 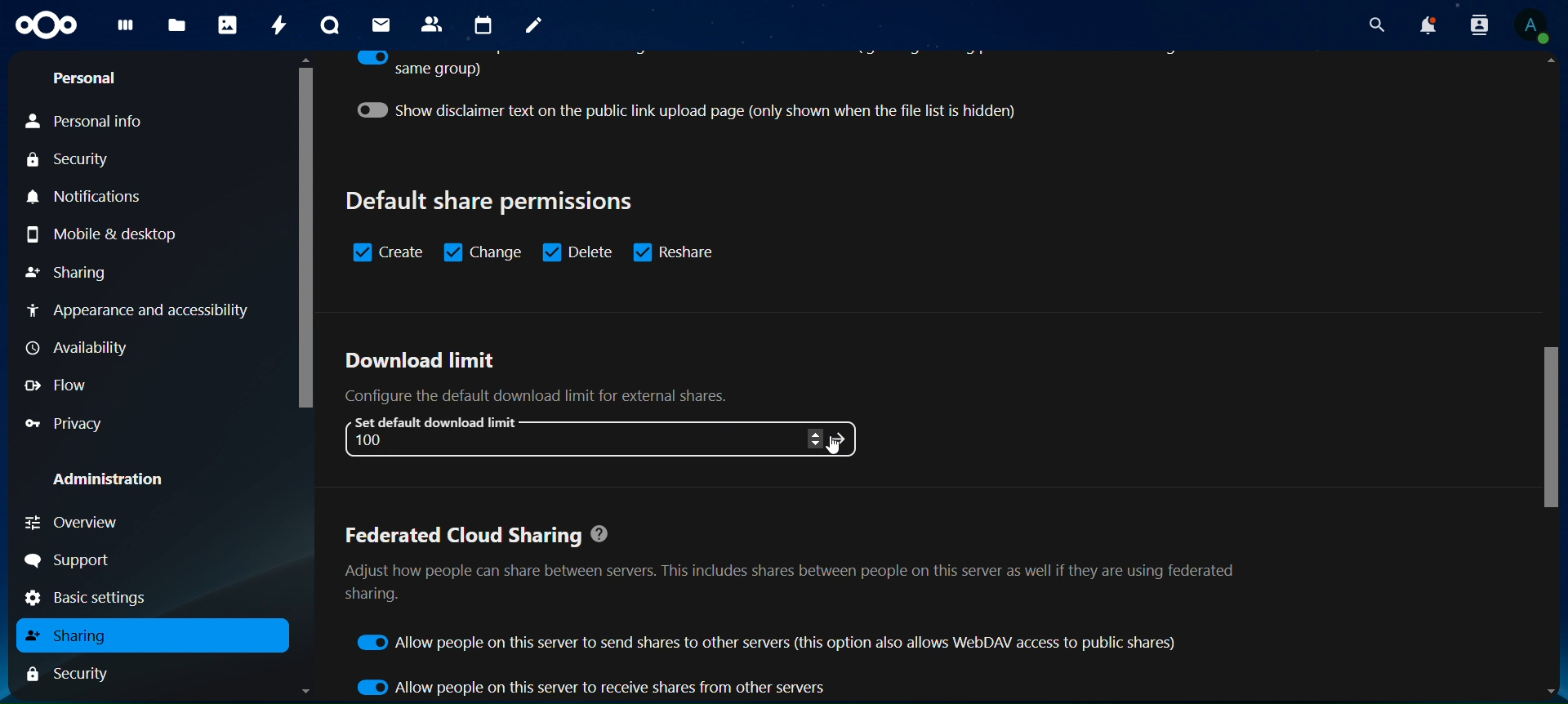 I want to click on files, so click(x=178, y=27).